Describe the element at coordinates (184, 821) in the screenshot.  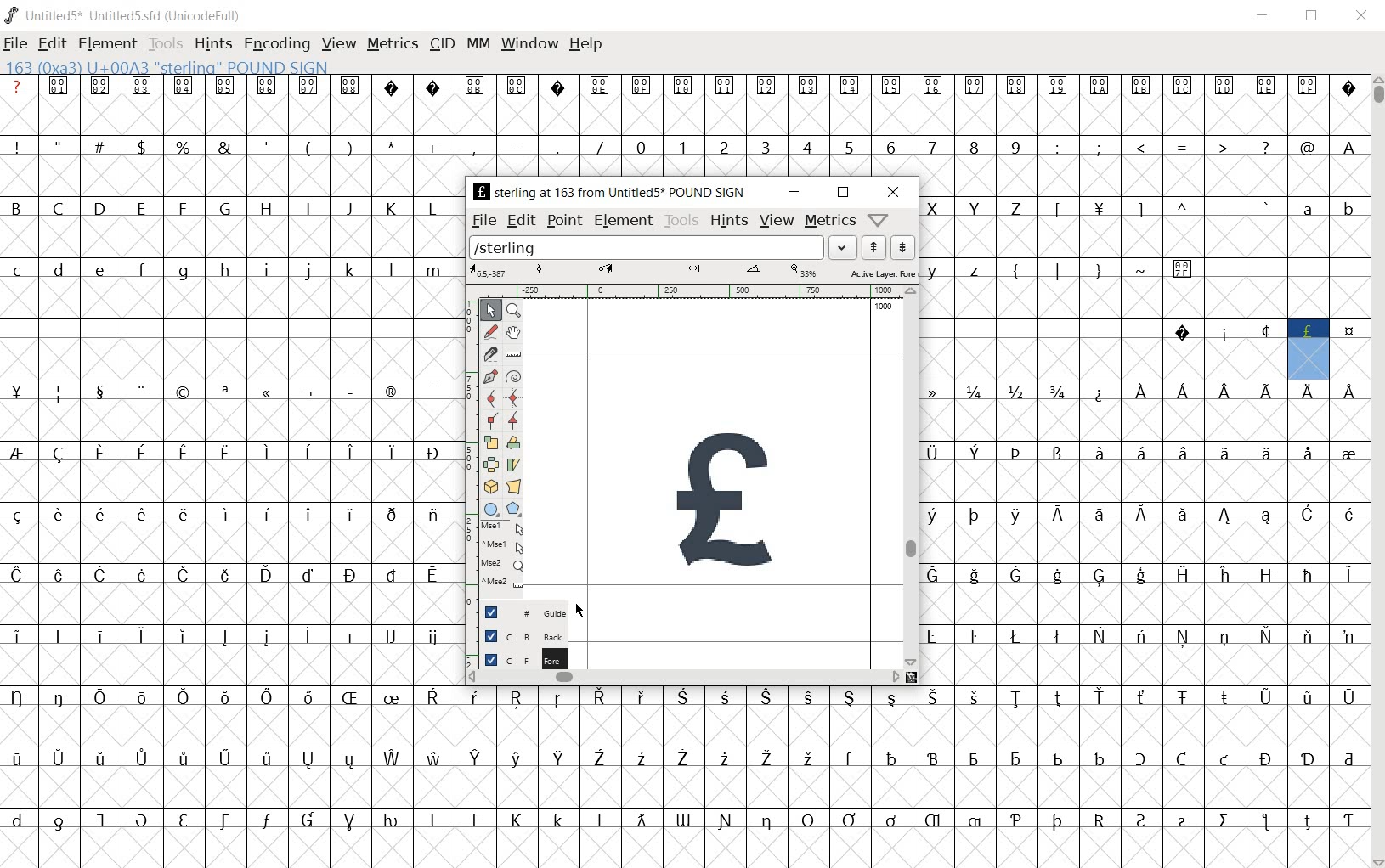
I see `Symbol` at that location.